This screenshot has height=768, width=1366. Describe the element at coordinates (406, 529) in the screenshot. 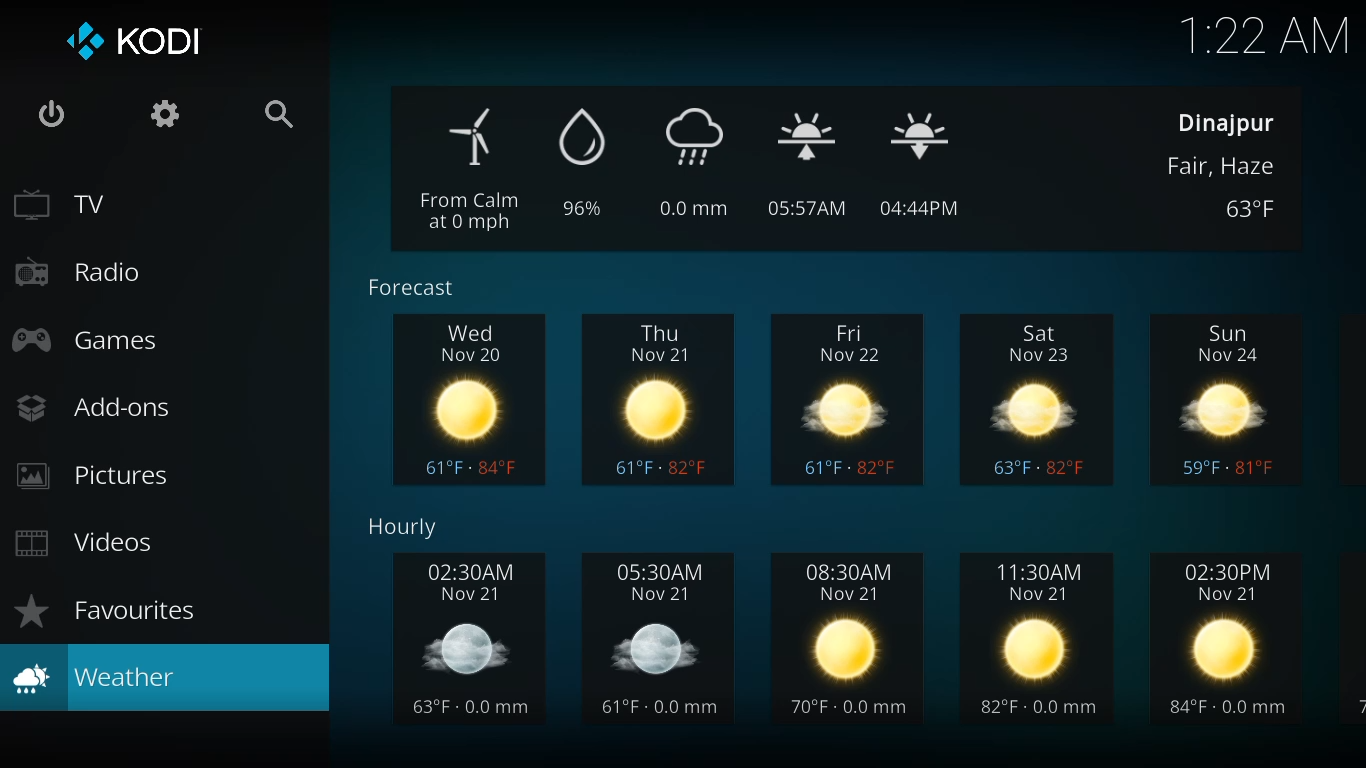

I see `hourly` at that location.